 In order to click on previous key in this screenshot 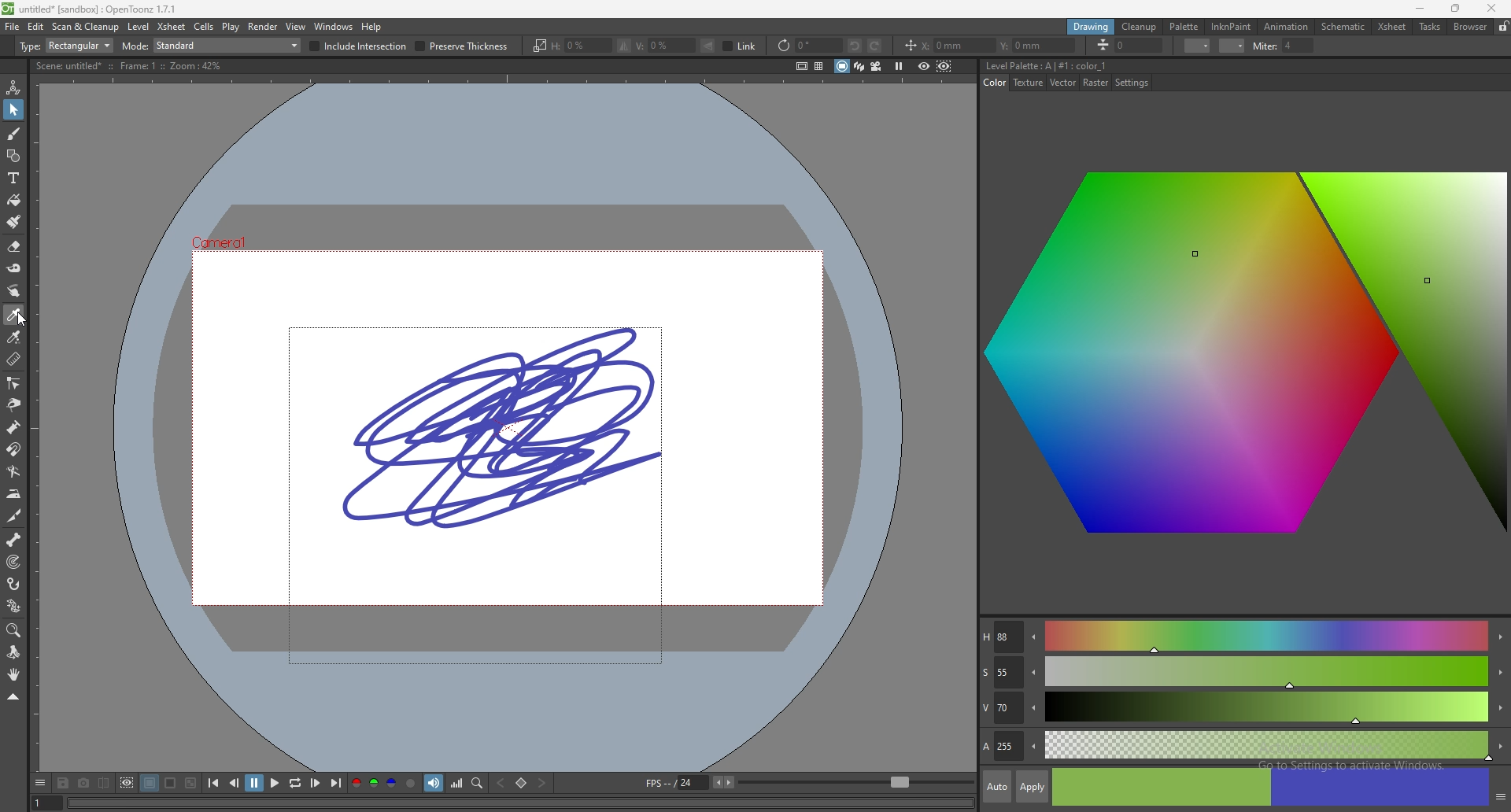, I will do `click(501, 782)`.